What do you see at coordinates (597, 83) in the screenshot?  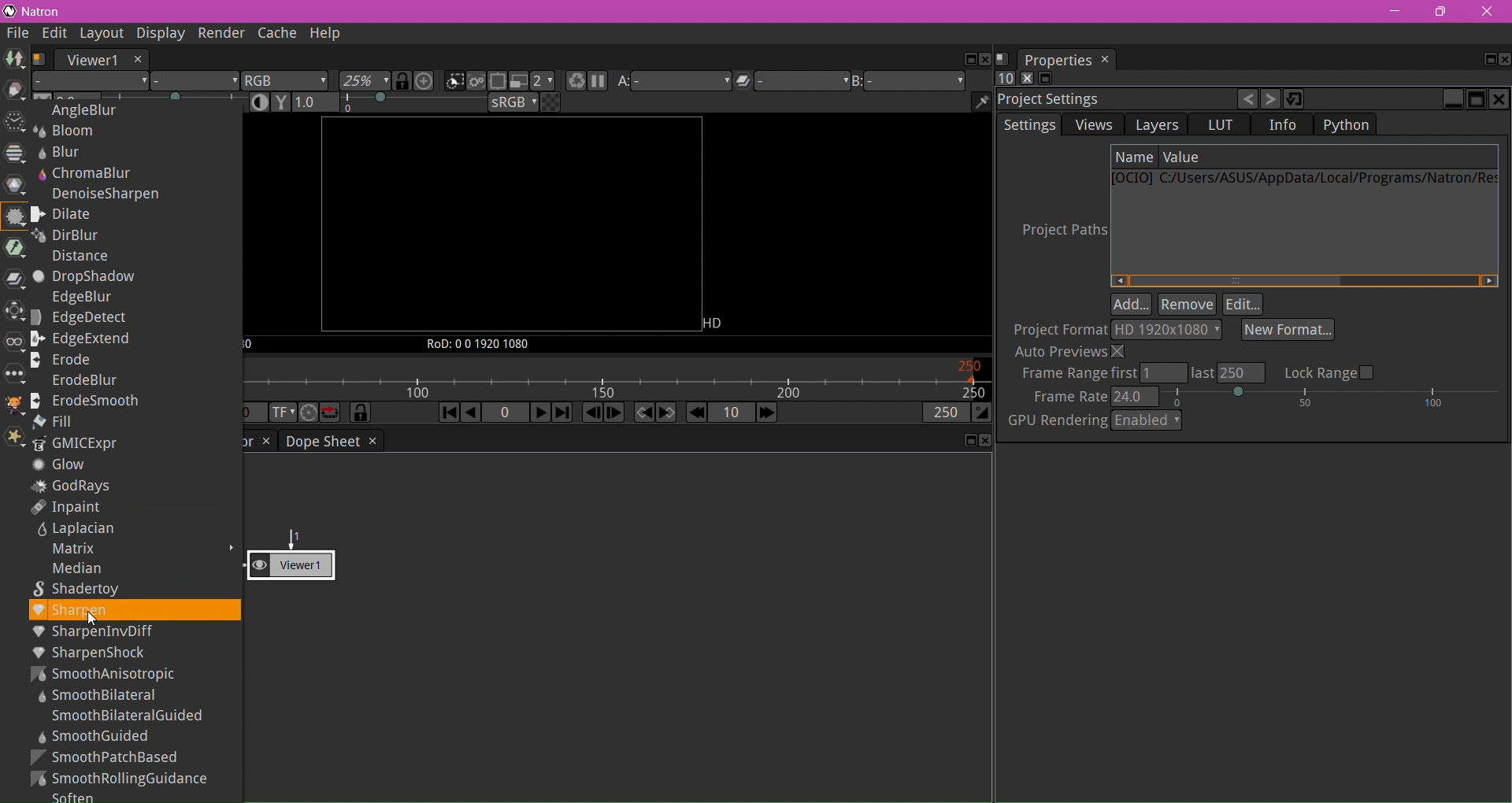 I see `Pause Updates` at bounding box center [597, 83].